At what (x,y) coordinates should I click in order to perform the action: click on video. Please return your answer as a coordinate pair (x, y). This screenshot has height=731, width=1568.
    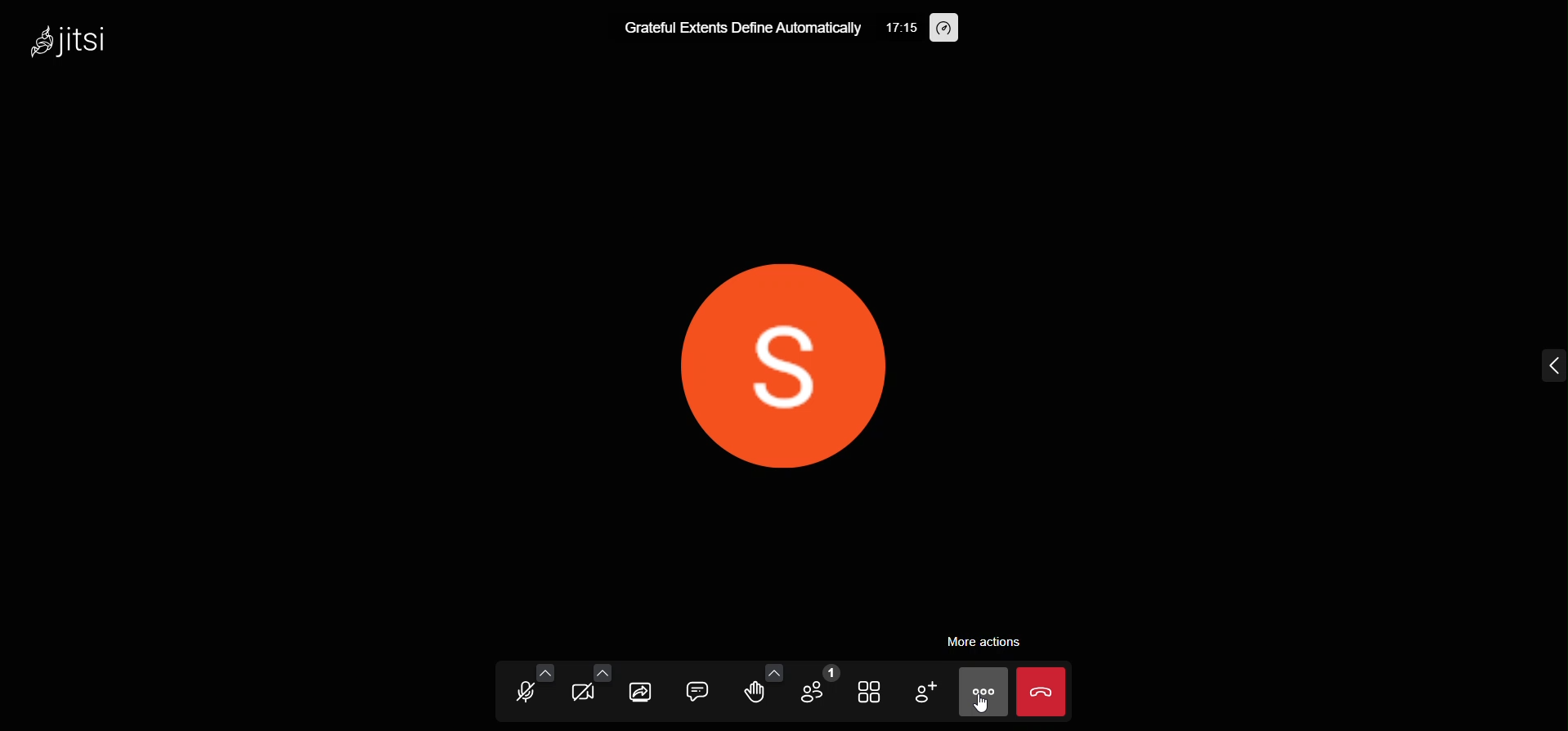
    Looking at the image, I should click on (582, 693).